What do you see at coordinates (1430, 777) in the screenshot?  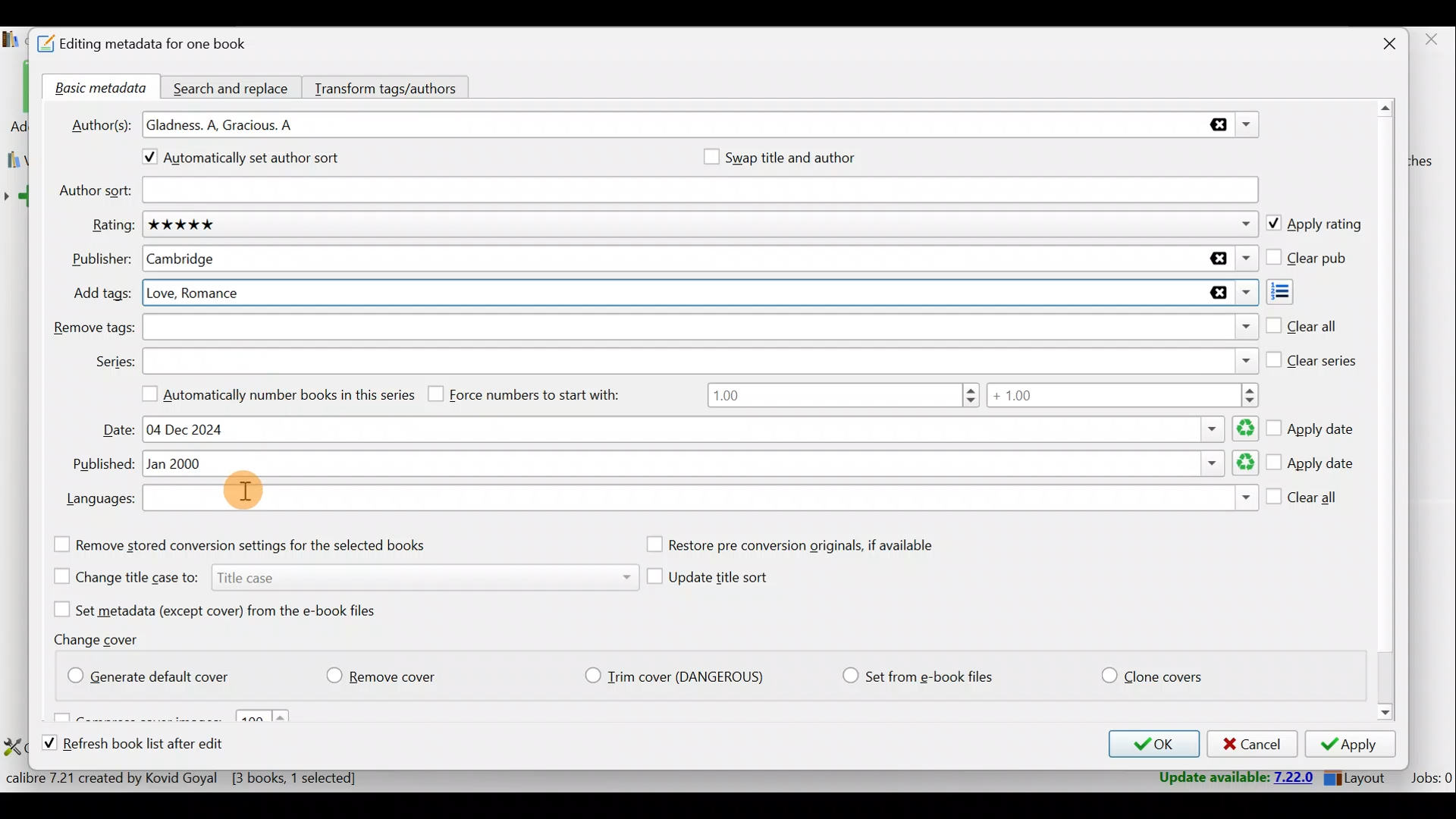 I see `Jobs` at bounding box center [1430, 777].